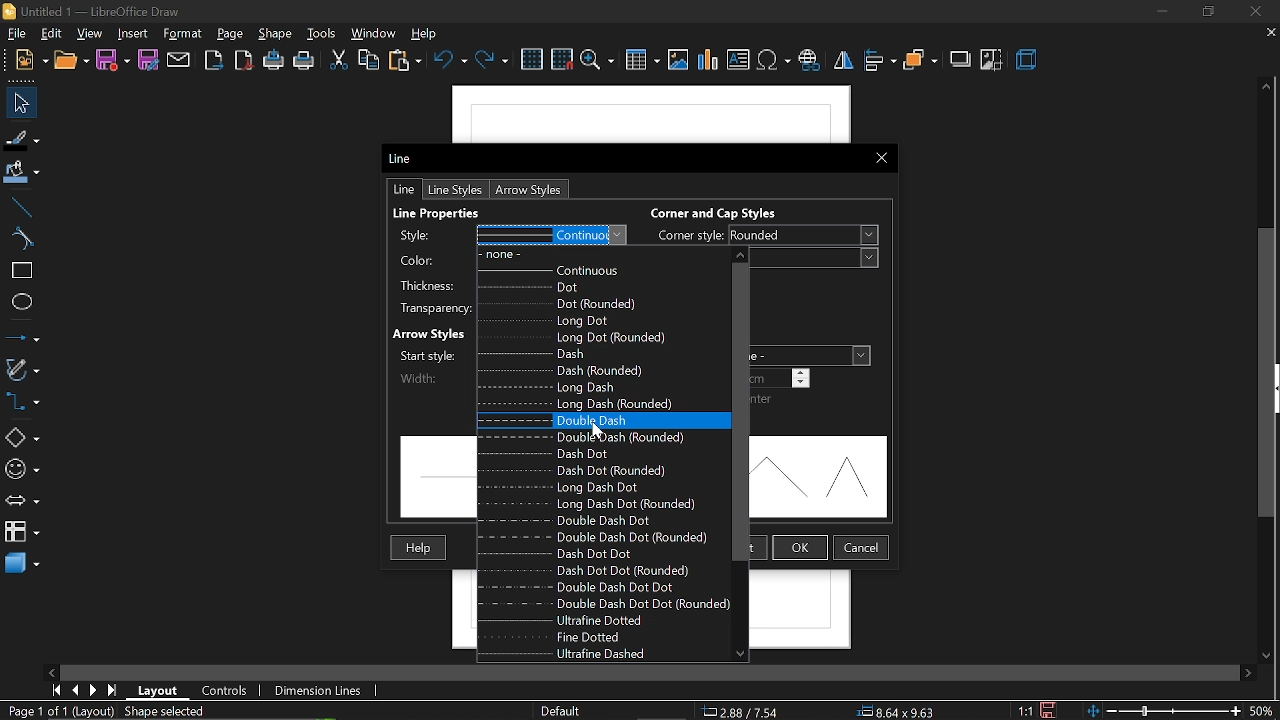  Describe the element at coordinates (642, 60) in the screenshot. I see `insert table` at that location.